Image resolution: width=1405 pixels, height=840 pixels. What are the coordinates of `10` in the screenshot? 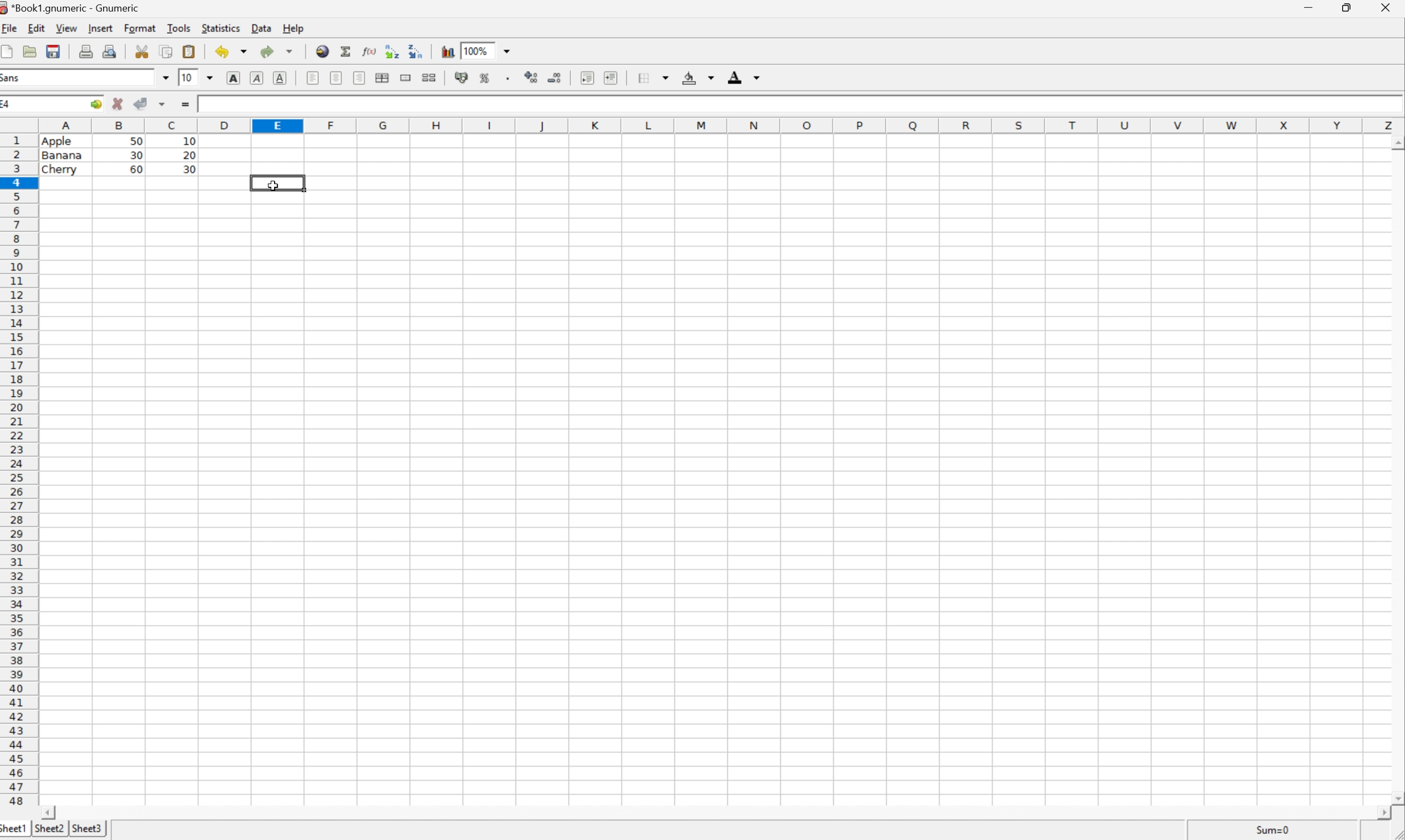 It's located at (185, 77).